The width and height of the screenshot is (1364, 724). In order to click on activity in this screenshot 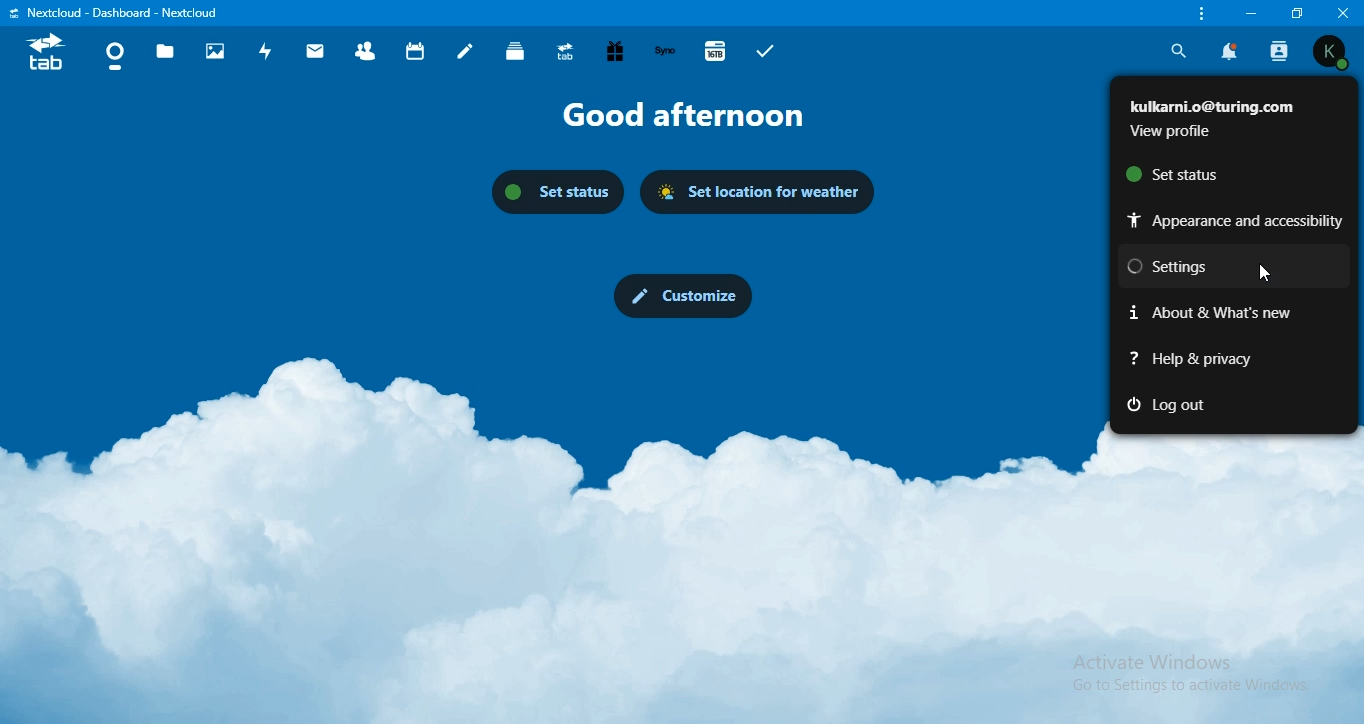, I will do `click(264, 52)`.